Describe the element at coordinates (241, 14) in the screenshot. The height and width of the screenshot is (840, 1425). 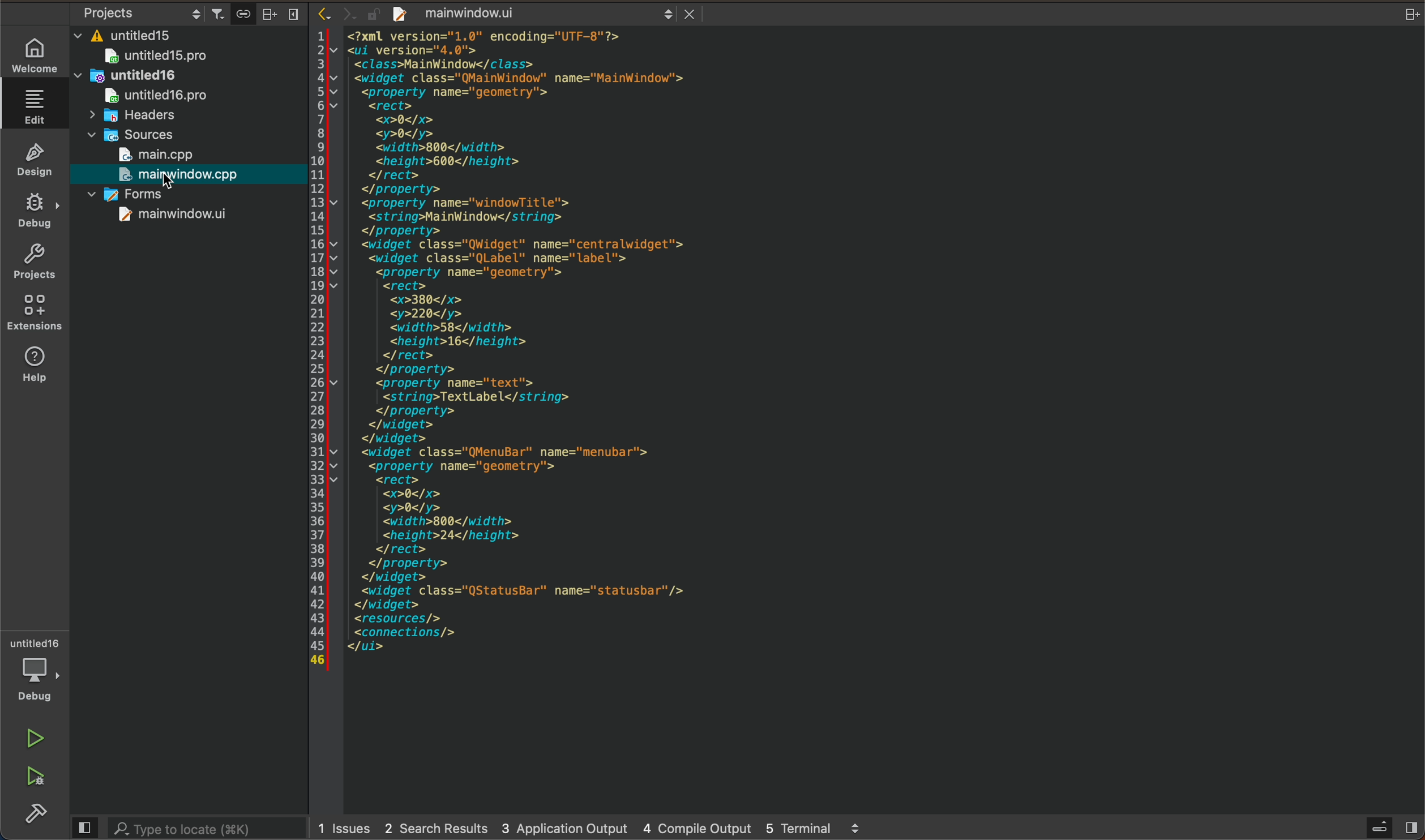
I see `attach` at that location.